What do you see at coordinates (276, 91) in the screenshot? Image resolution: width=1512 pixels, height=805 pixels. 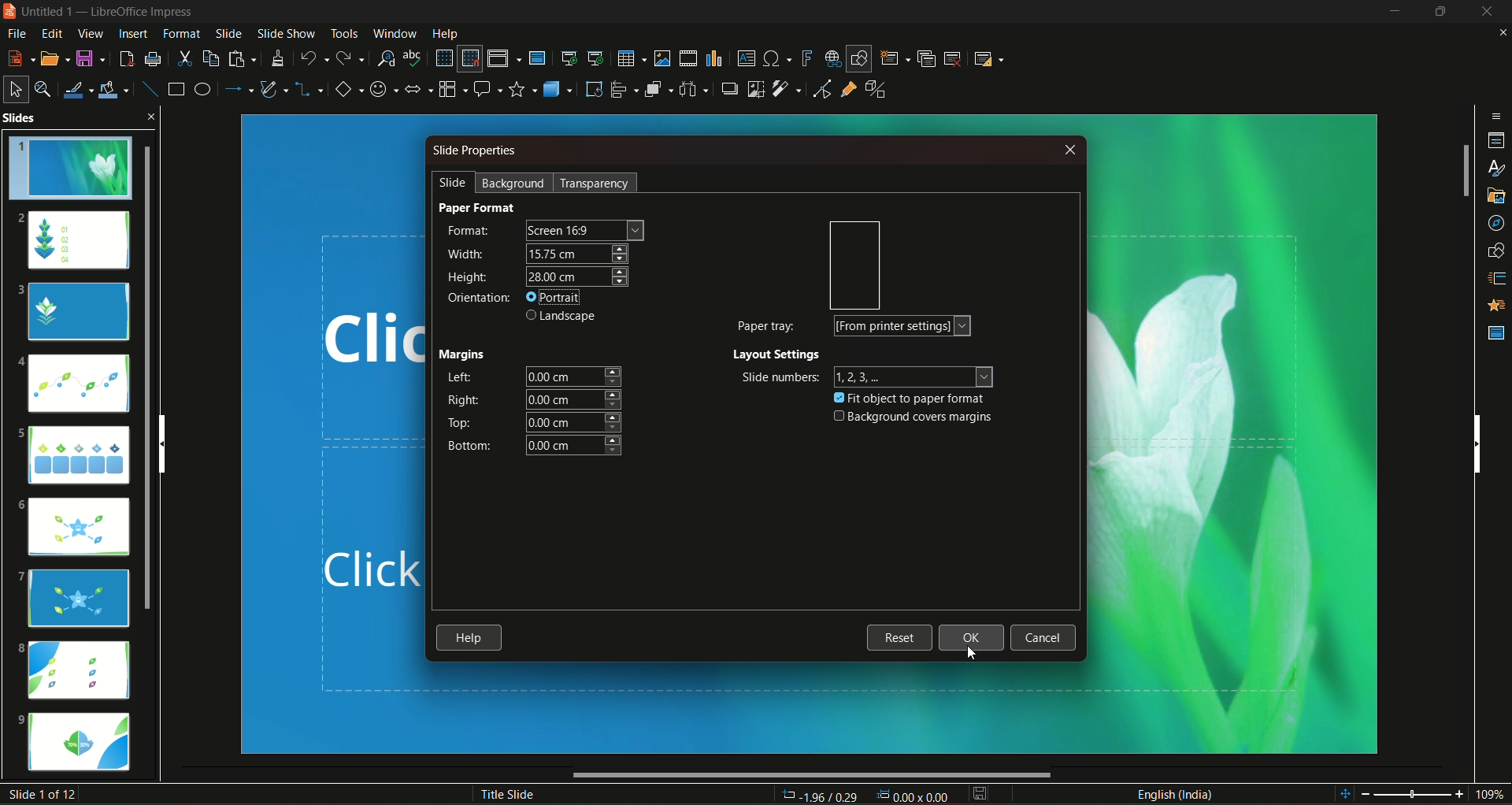 I see `curves and polygon` at bounding box center [276, 91].